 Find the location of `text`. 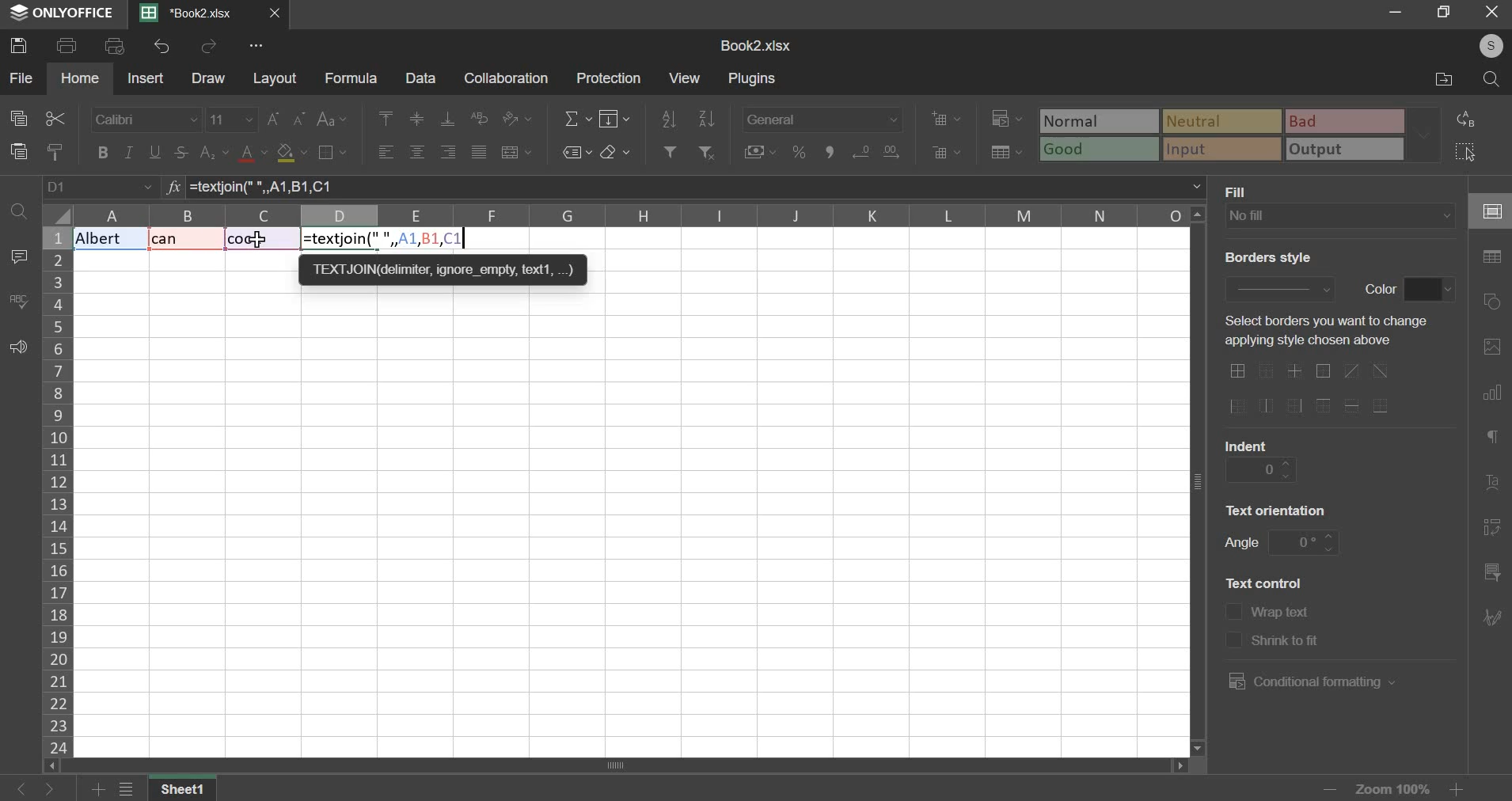

text is located at coordinates (1283, 614).